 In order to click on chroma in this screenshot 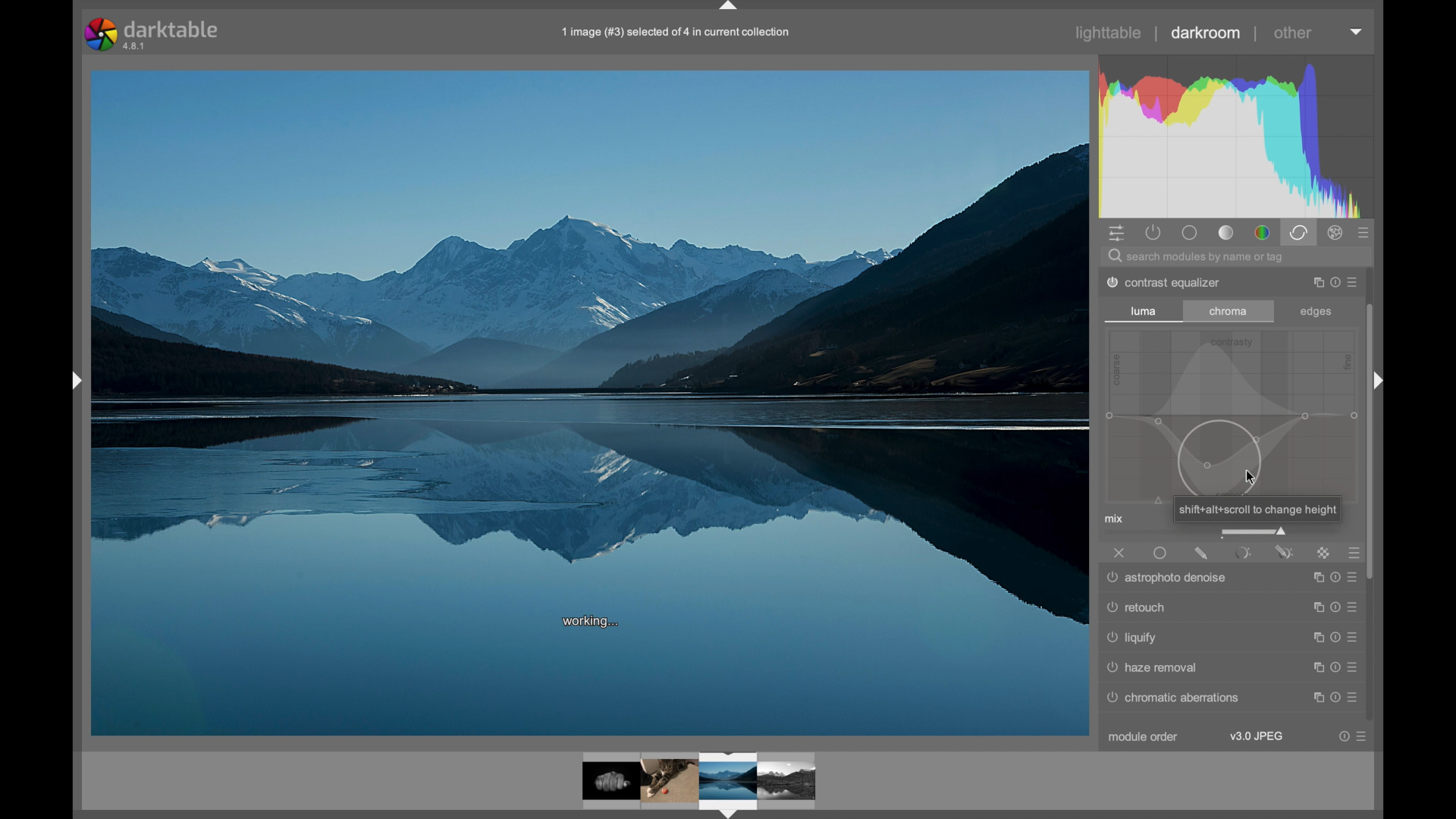, I will do `click(1228, 312)`.